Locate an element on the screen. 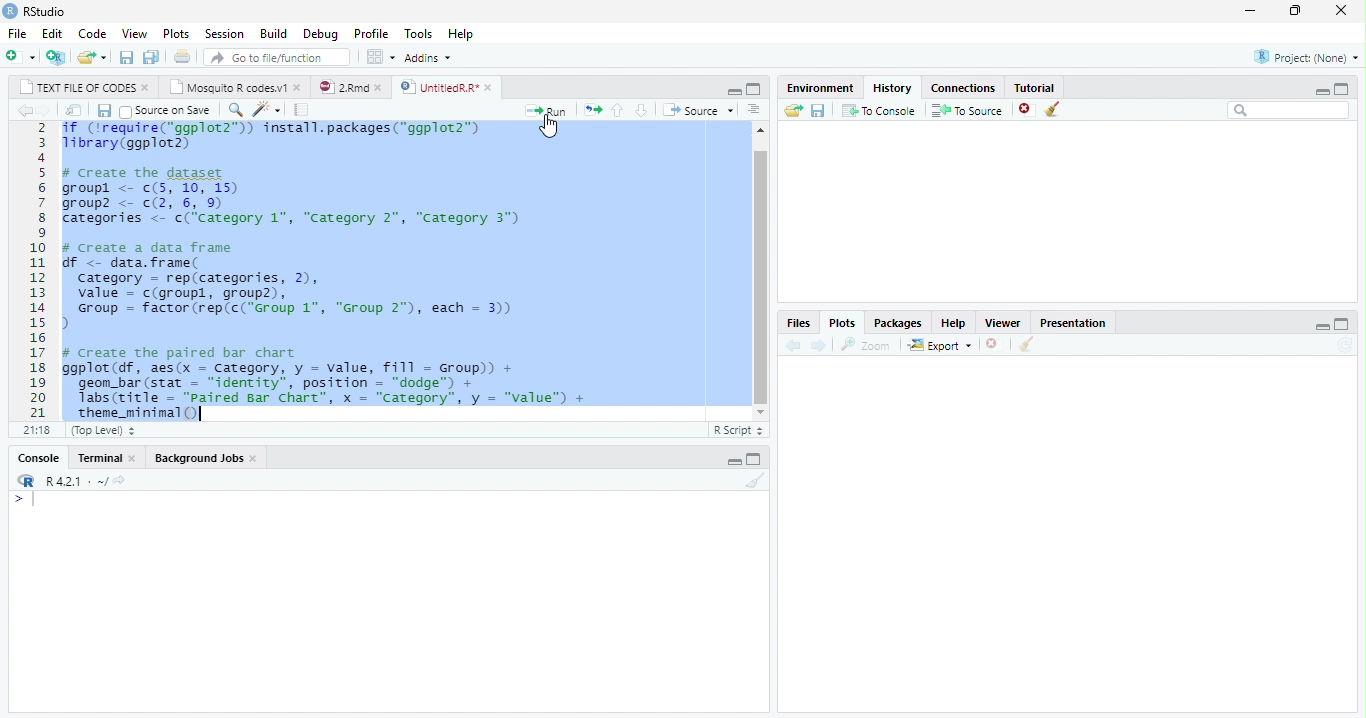  maximize is located at coordinates (1343, 325).